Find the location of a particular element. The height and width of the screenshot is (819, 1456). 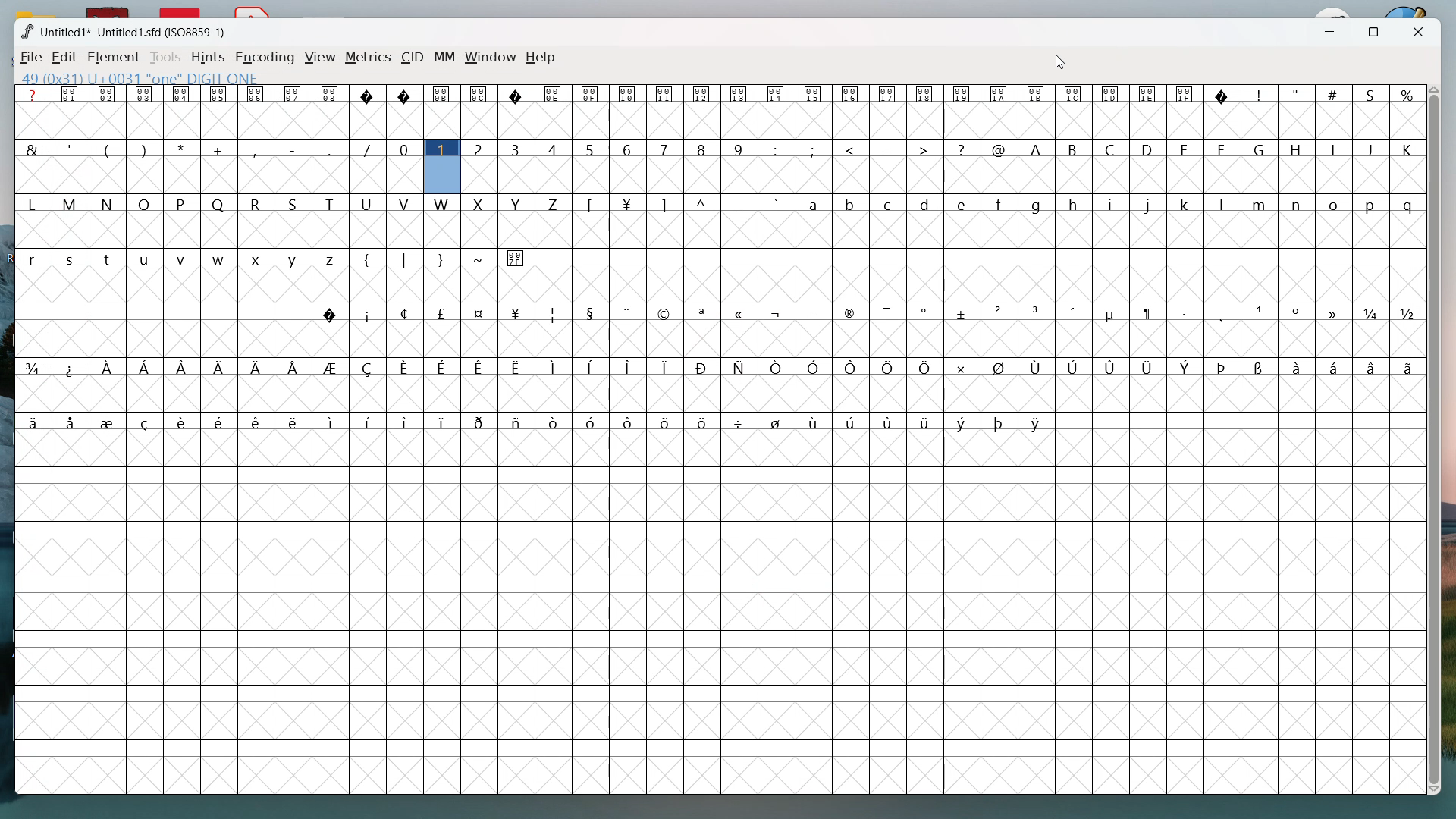

help is located at coordinates (542, 58).